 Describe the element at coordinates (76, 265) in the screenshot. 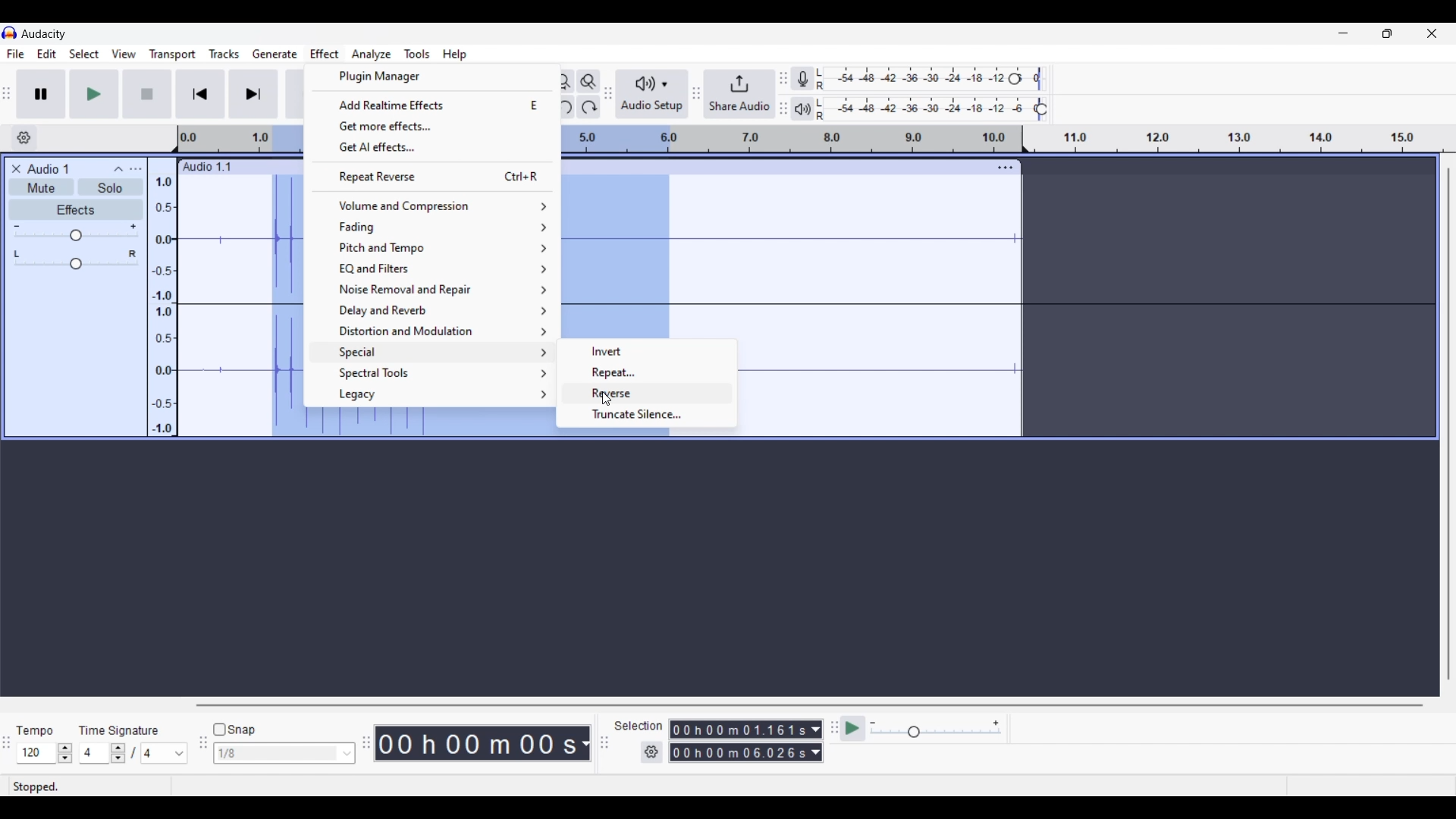

I see `Pan` at that location.